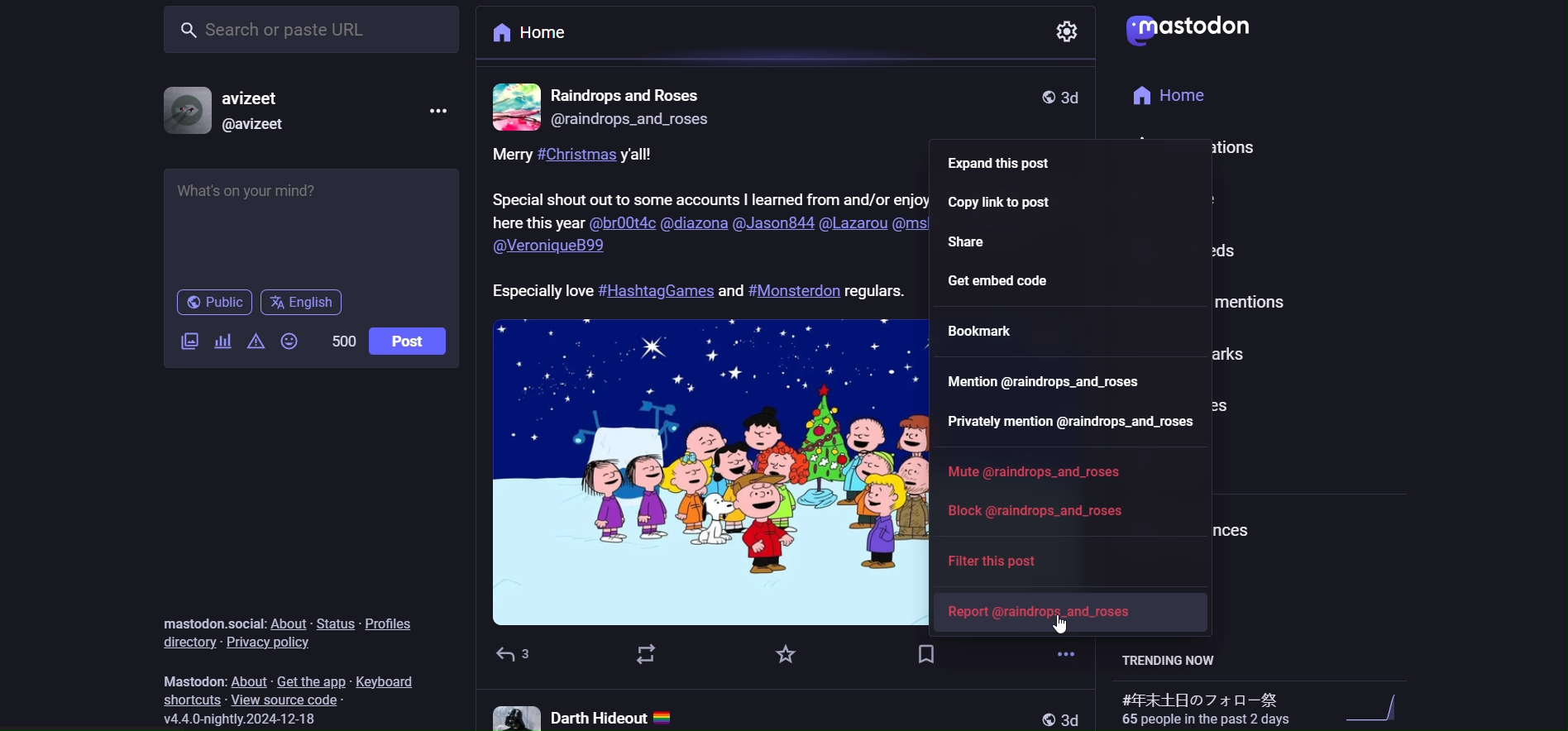 This screenshot has width=1568, height=731. Describe the element at coordinates (970, 241) in the screenshot. I see `share` at that location.